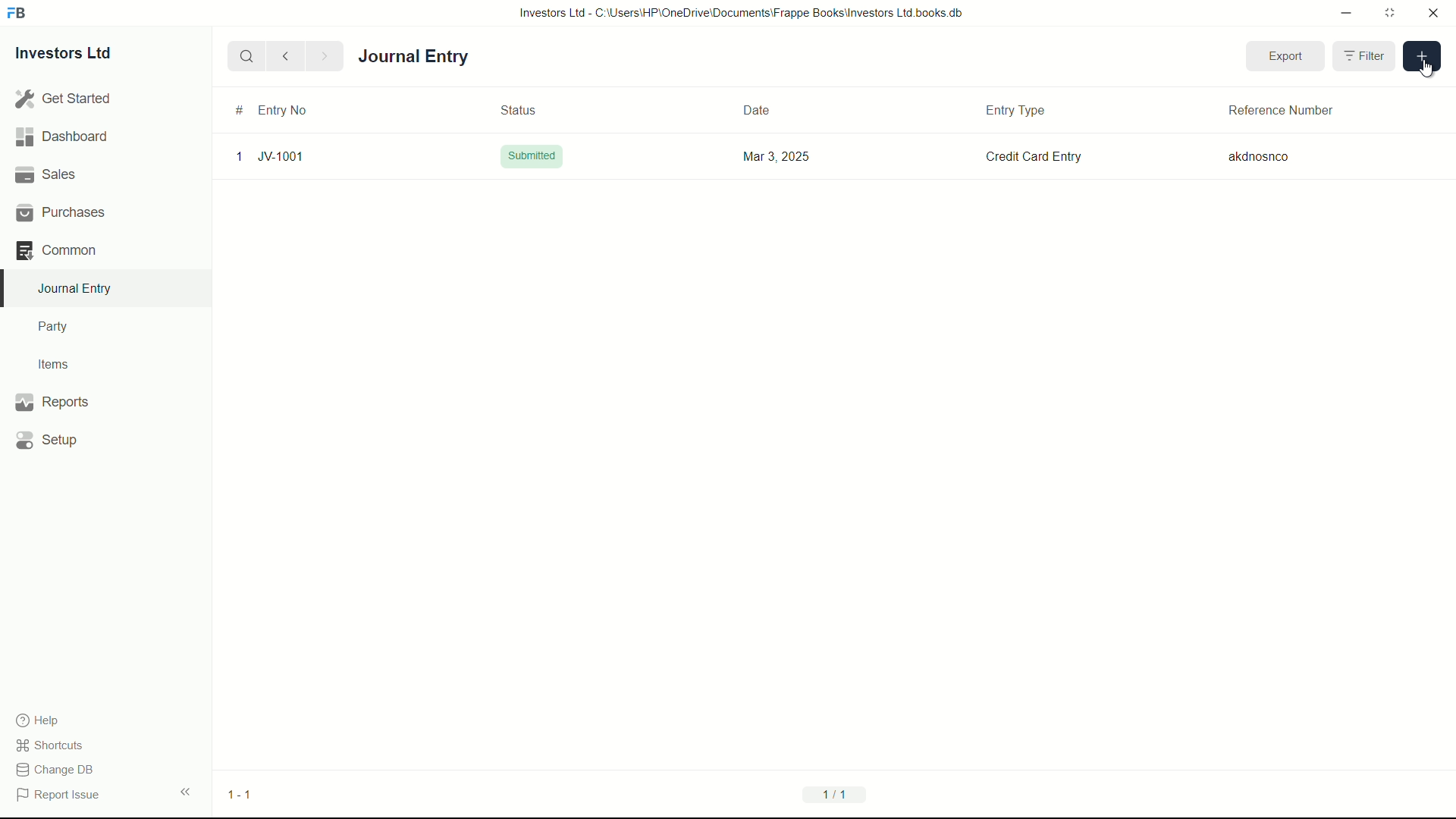 Image resolution: width=1456 pixels, height=819 pixels. Describe the element at coordinates (1263, 157) in the screenshot. I see `akdnosnco` at that location.